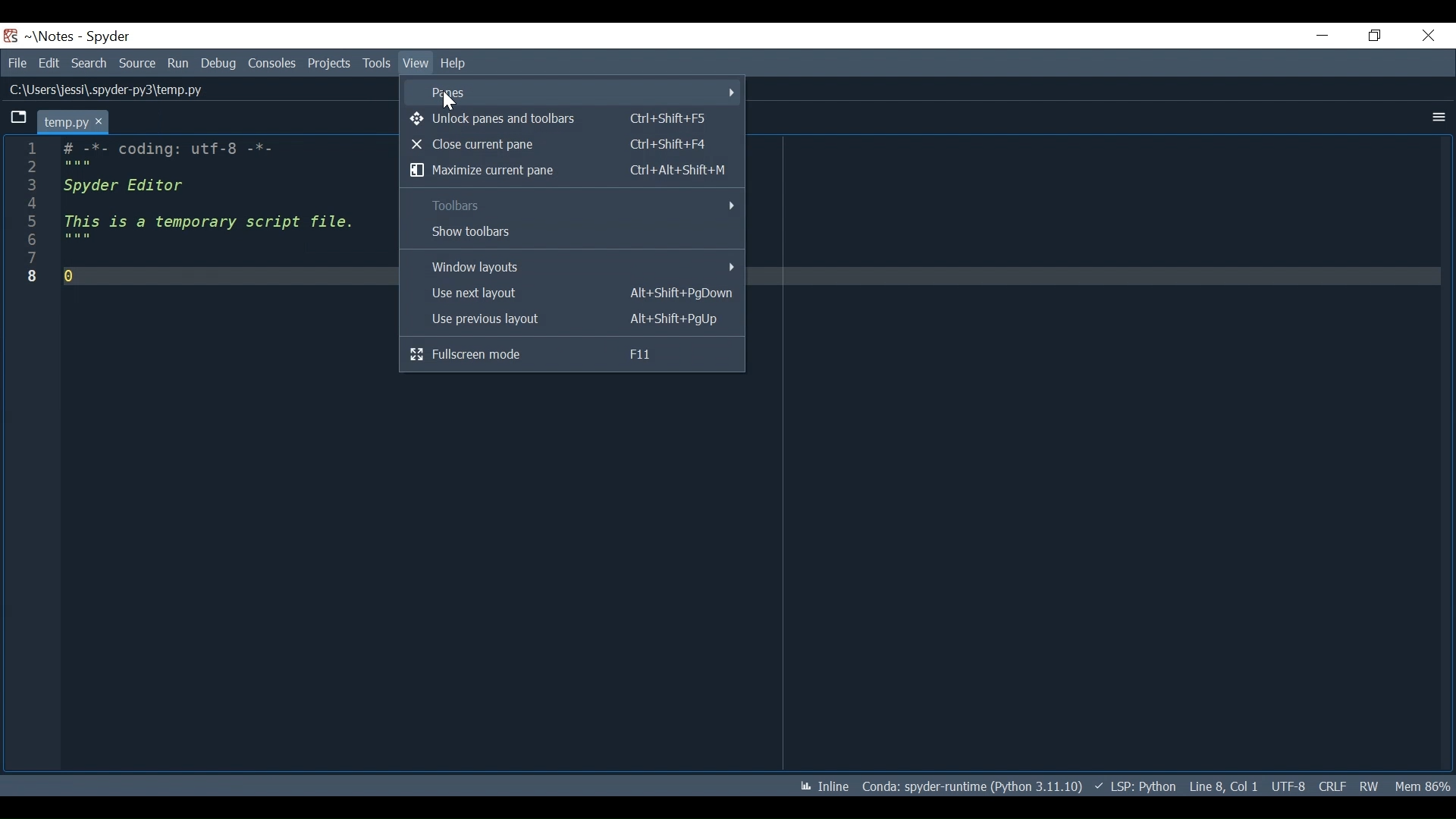 Image resolution: width=1456 pixels, height=819 pixels. I want to click on Run, so click(178, 64).